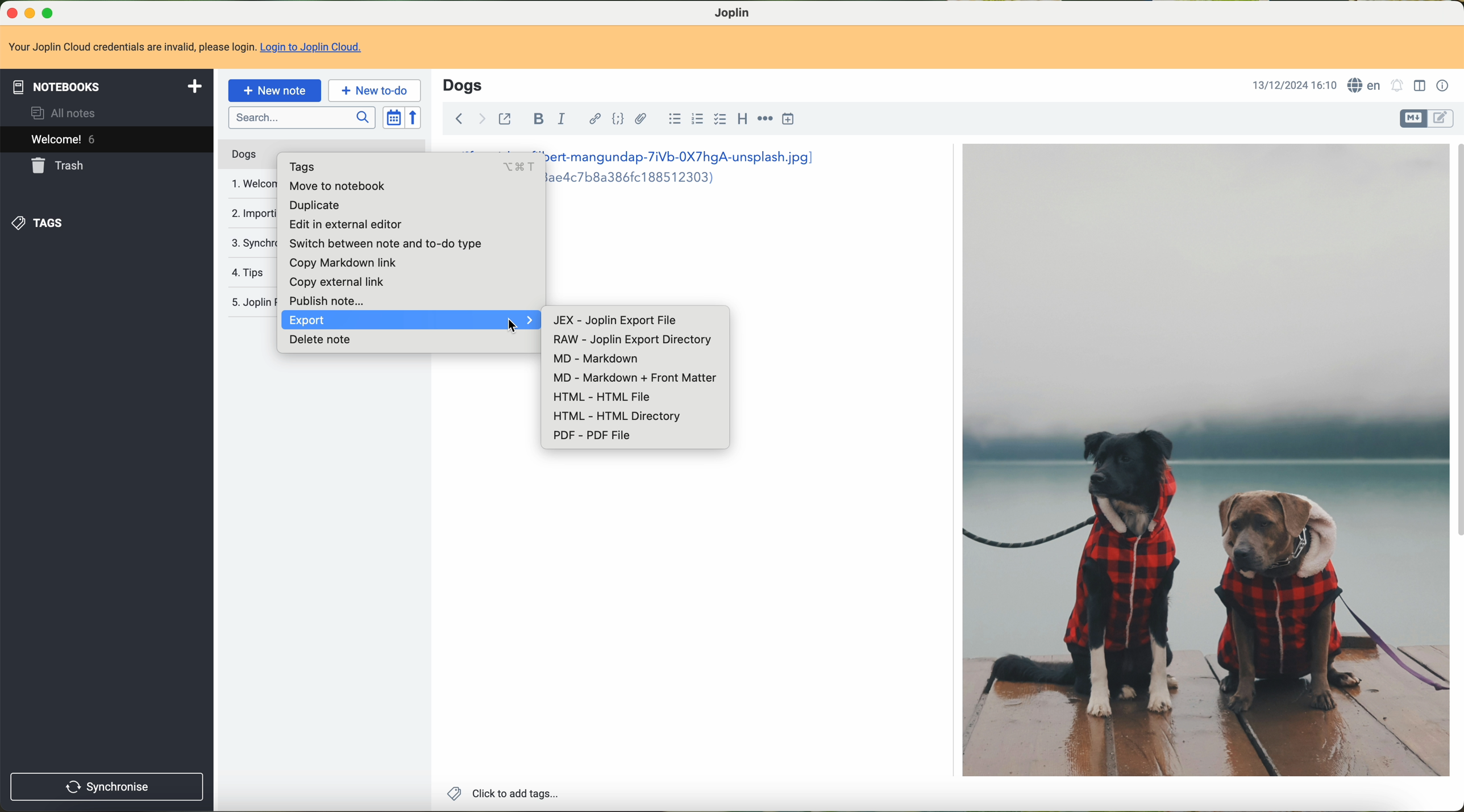  What do you see at coordinates (594, 436) in the screenshot?
I see `PDF - PDF File` at bounding box center [594, 436].